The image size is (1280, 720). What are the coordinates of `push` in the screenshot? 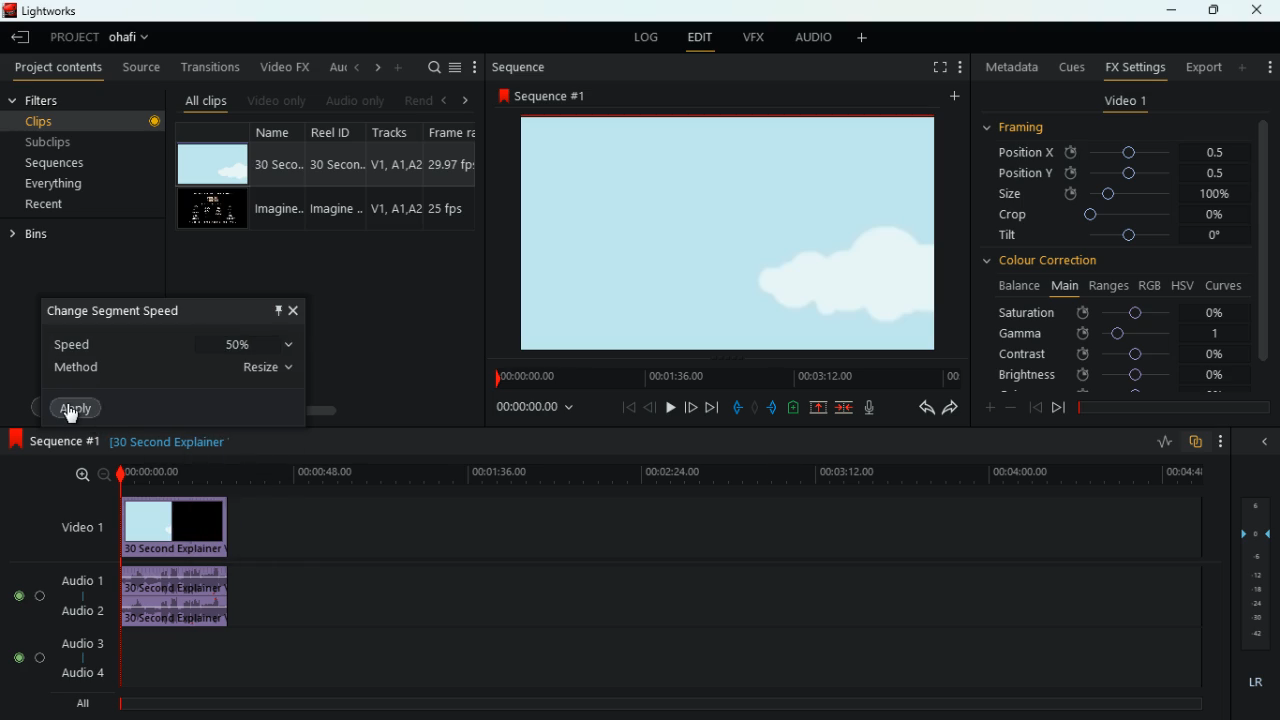 It's located at (773, 407).